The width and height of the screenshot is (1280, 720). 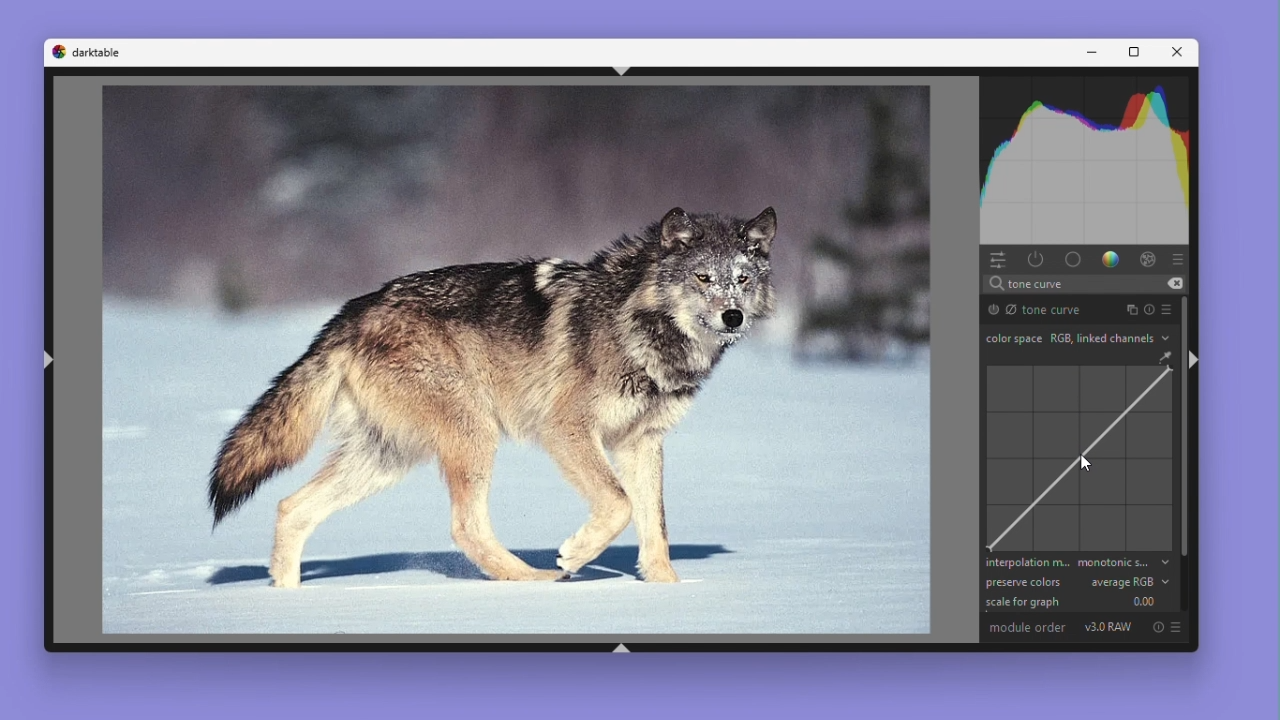 I want to click on show only active modules, so click(x=1035, y=260).